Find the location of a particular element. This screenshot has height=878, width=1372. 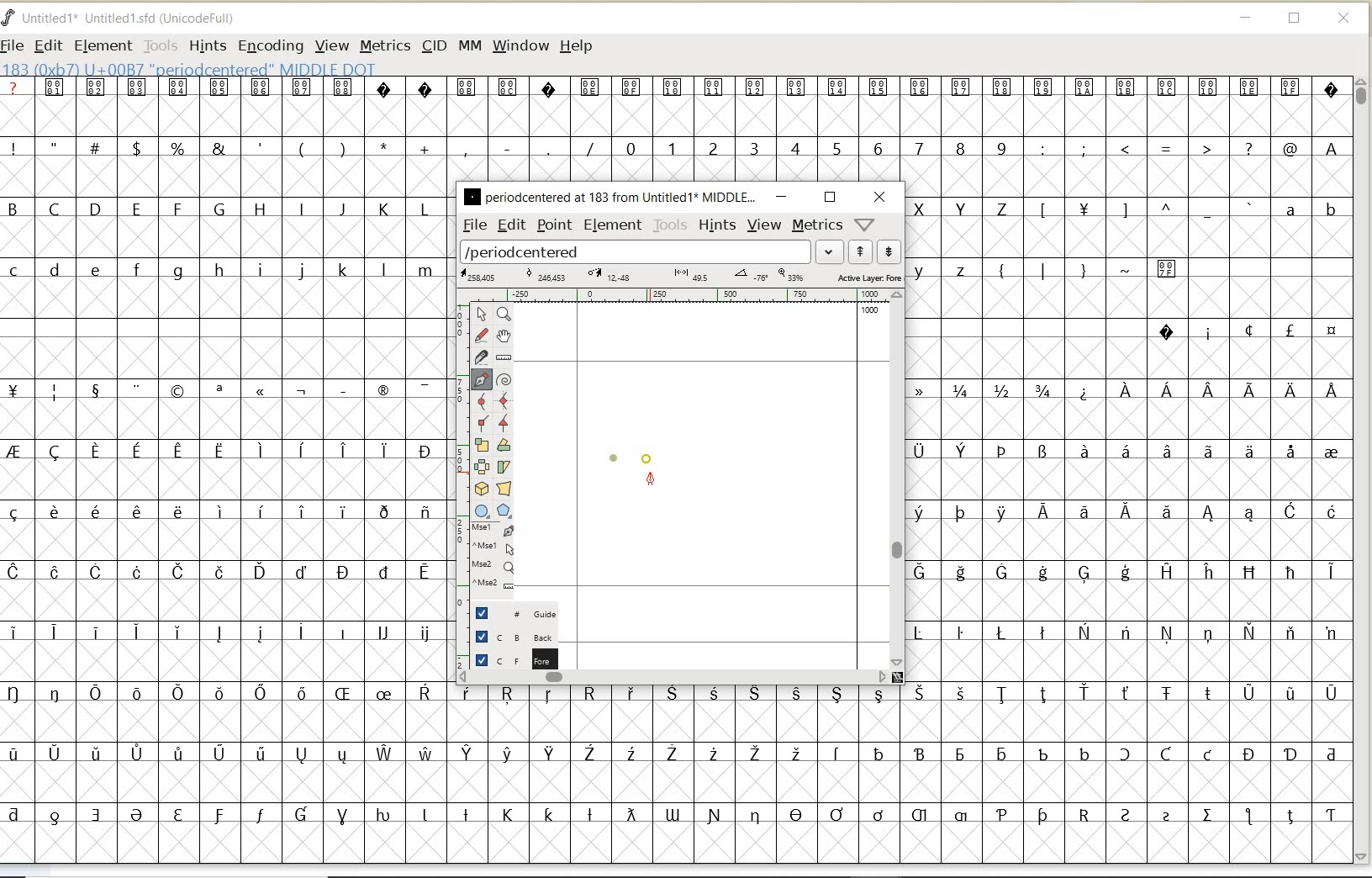

SCROLLBAR is located at coordinates (1364, 470).